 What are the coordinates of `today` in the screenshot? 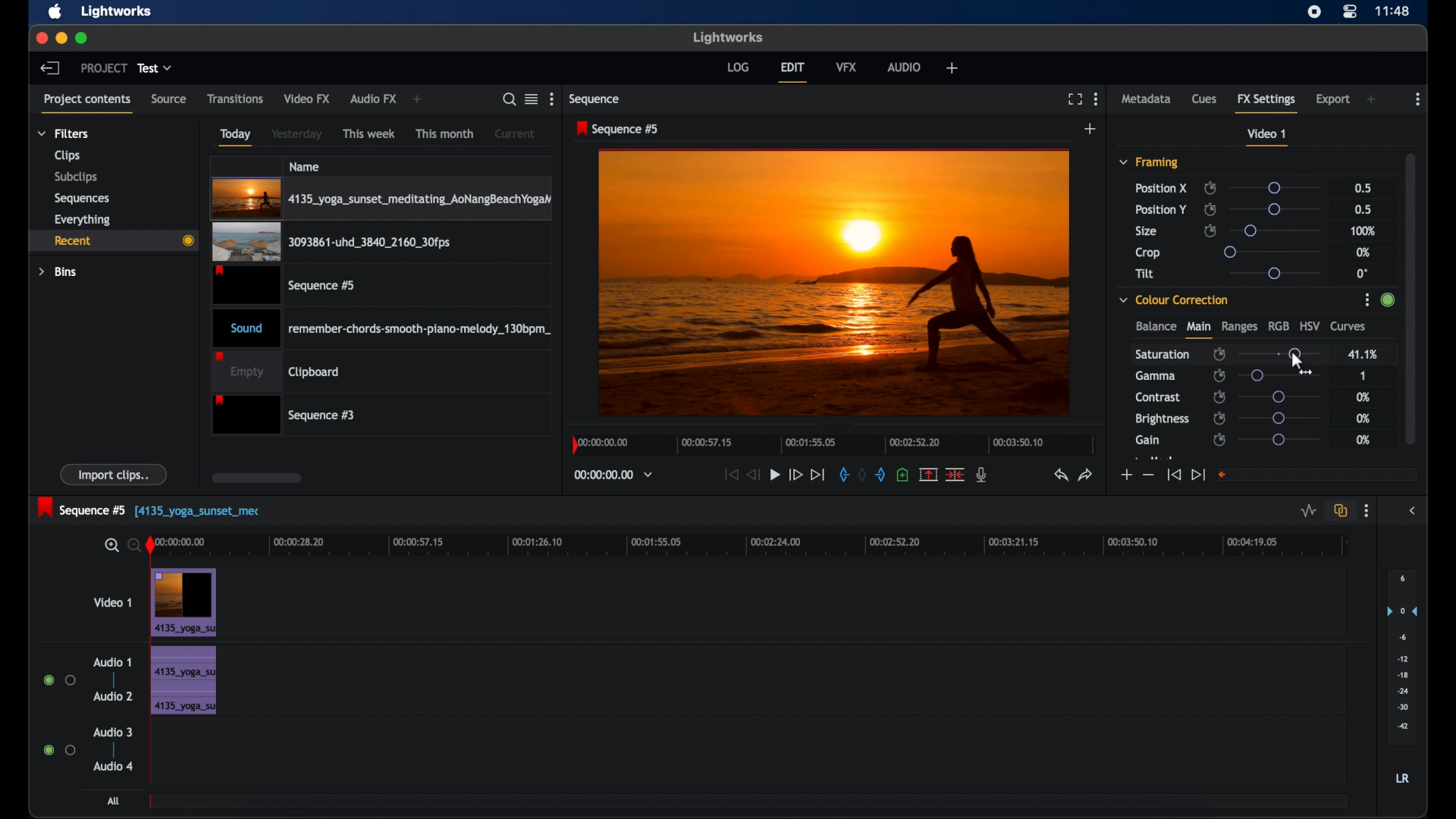 It's located at (235, 136).